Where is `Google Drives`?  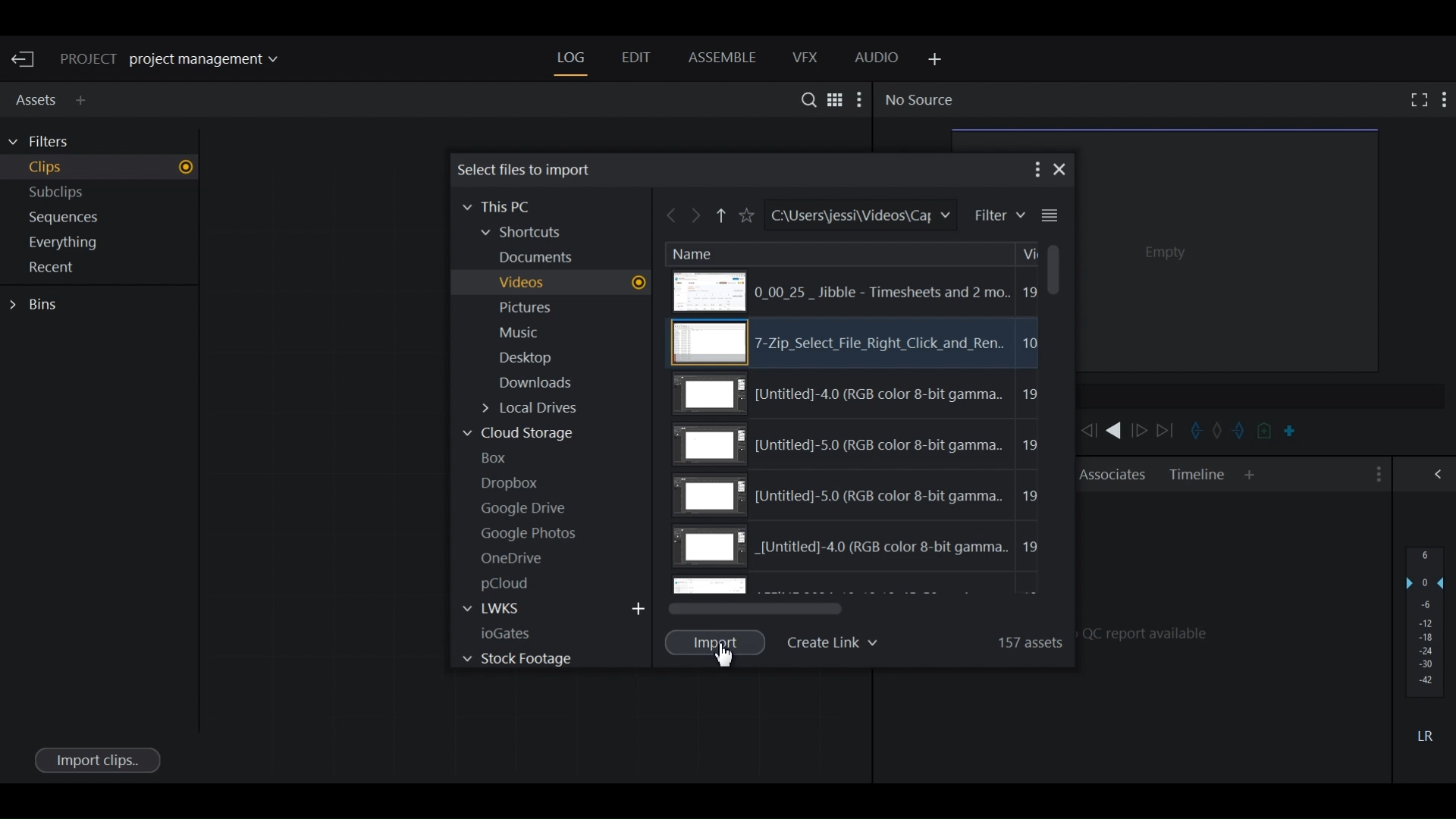 Google Drives is located at coordinates (526, 508).